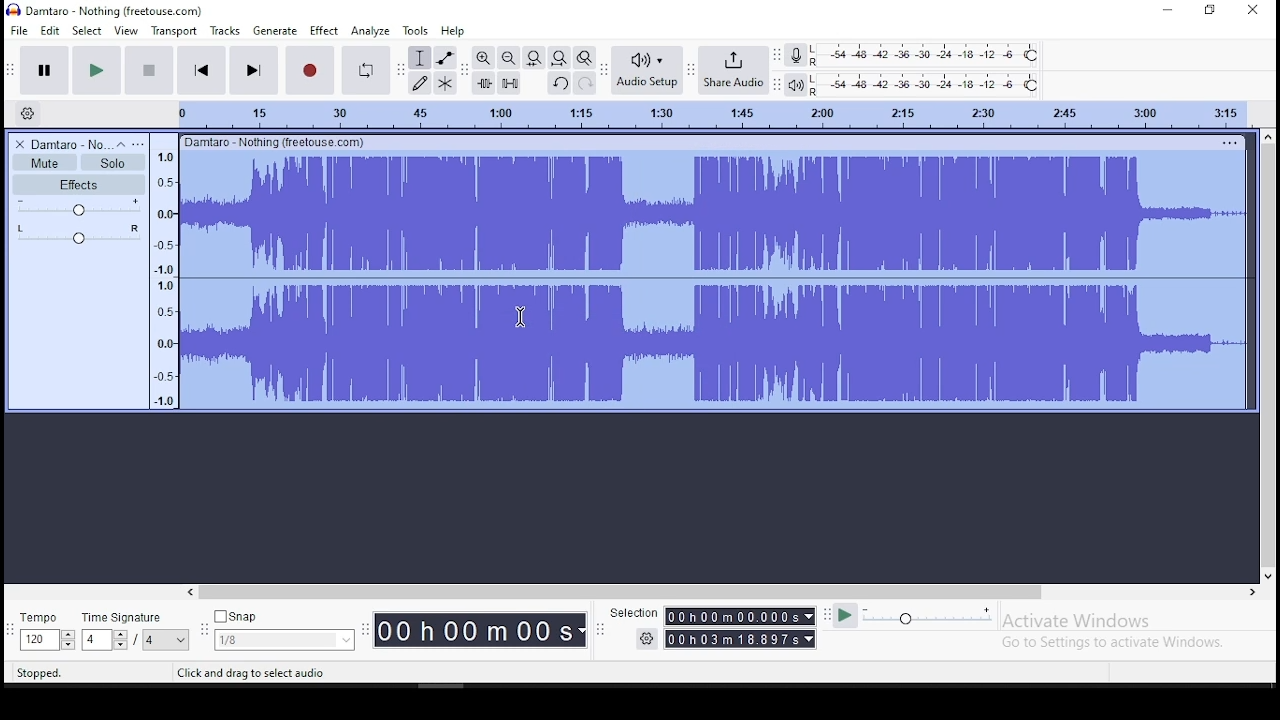 The image size is (1280, 720). Describe the element at coordinates (139, 143) in the screenshot. I see `open menu` at that location.